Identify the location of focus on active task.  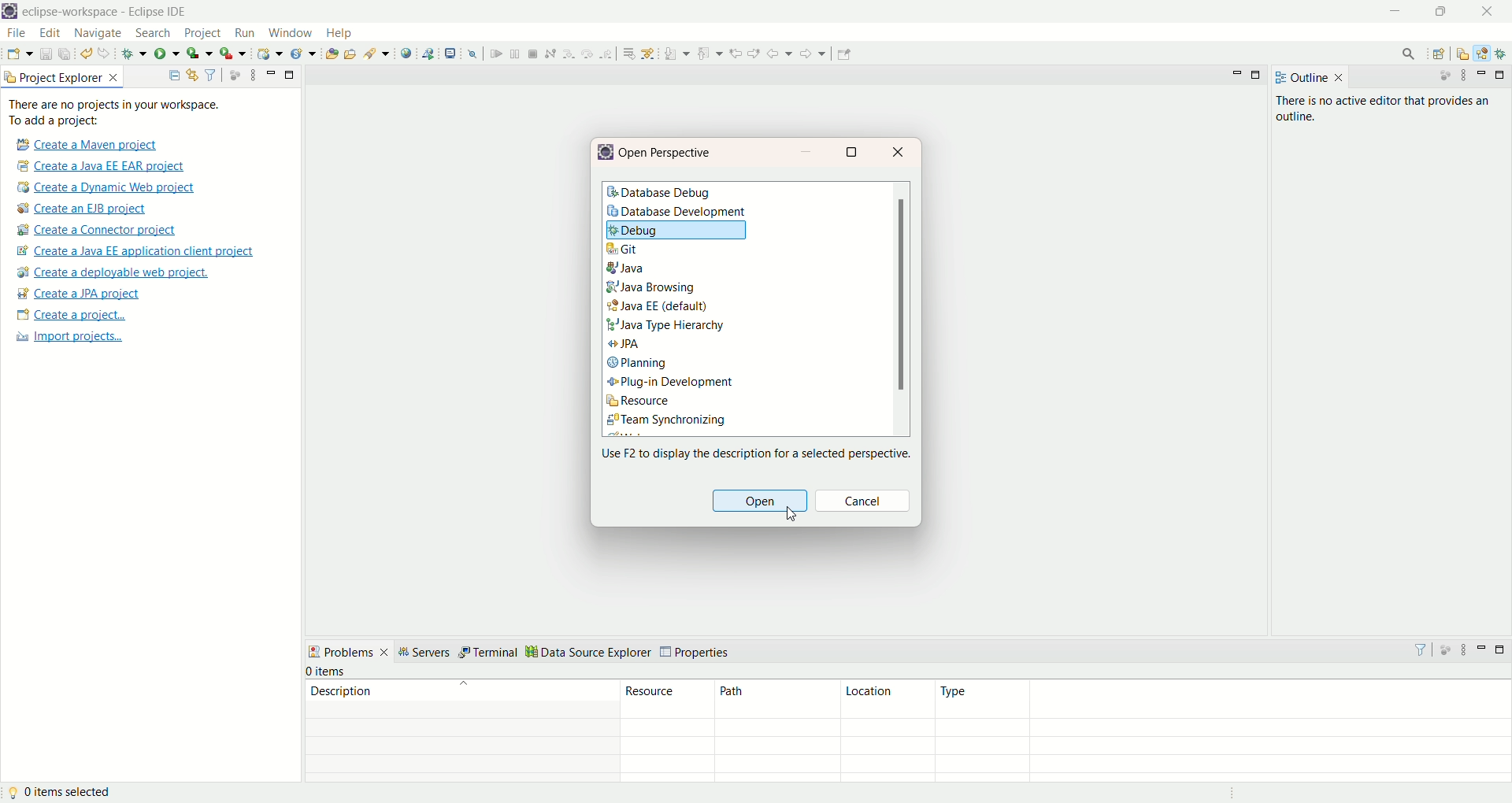
(1445, 649).